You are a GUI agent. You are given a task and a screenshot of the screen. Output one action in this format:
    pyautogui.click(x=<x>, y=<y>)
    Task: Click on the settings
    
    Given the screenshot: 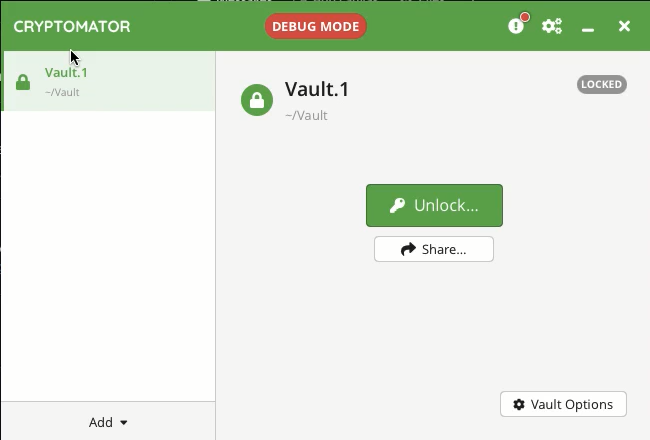 What is the action you would take?
    pyautogui.click(x=553, y=26)
    